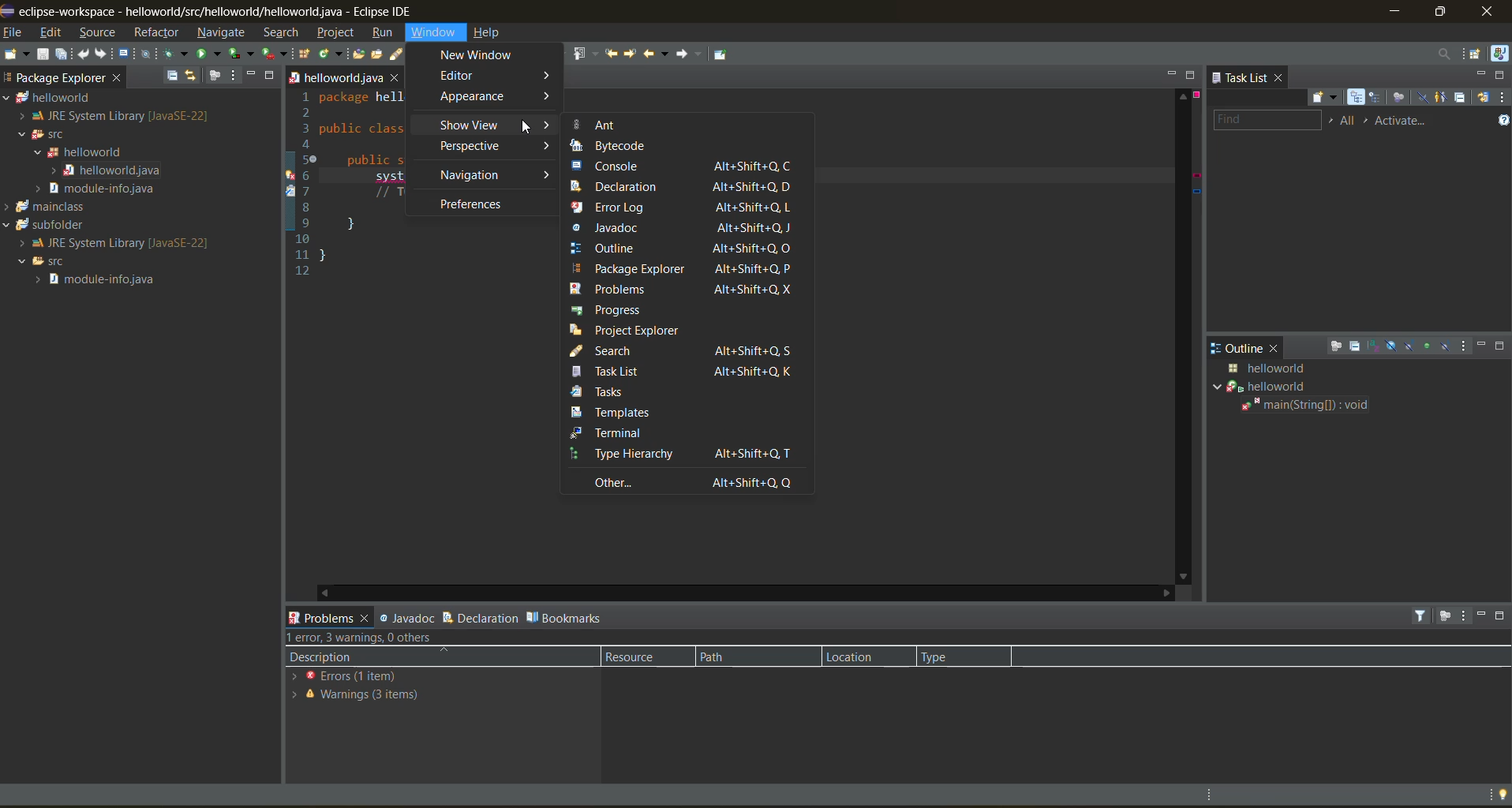 This screenshot has height=808, width=1512. Describe the element at coordinates (1277, 347) in the screenshot. I see `close` at that location.